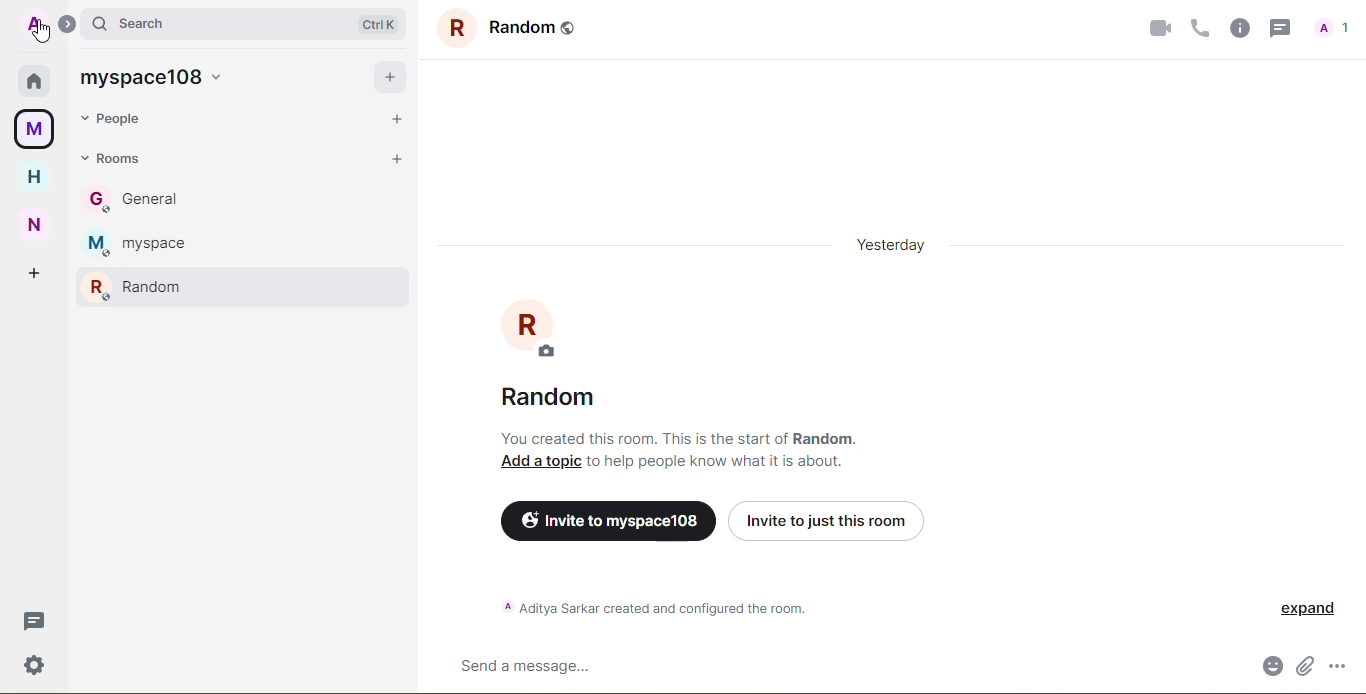 This screenshot has width=1366, height=694. Describe the element at coordinates (34, 621) in the screenshot. I see `threads` at that location.